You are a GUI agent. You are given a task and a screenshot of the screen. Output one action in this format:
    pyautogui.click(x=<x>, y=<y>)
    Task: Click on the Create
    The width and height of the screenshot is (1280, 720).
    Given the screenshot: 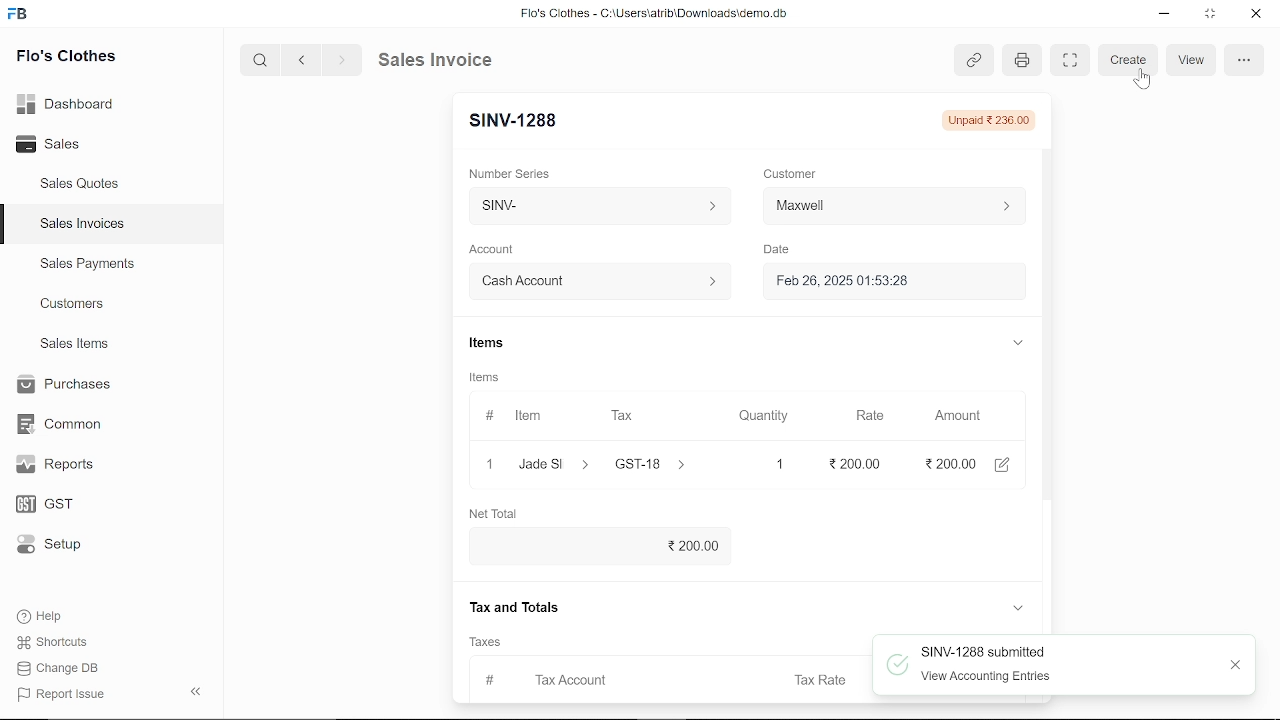 What is the action you would take?
    pyautogui.click(x=1129, y=61)
    